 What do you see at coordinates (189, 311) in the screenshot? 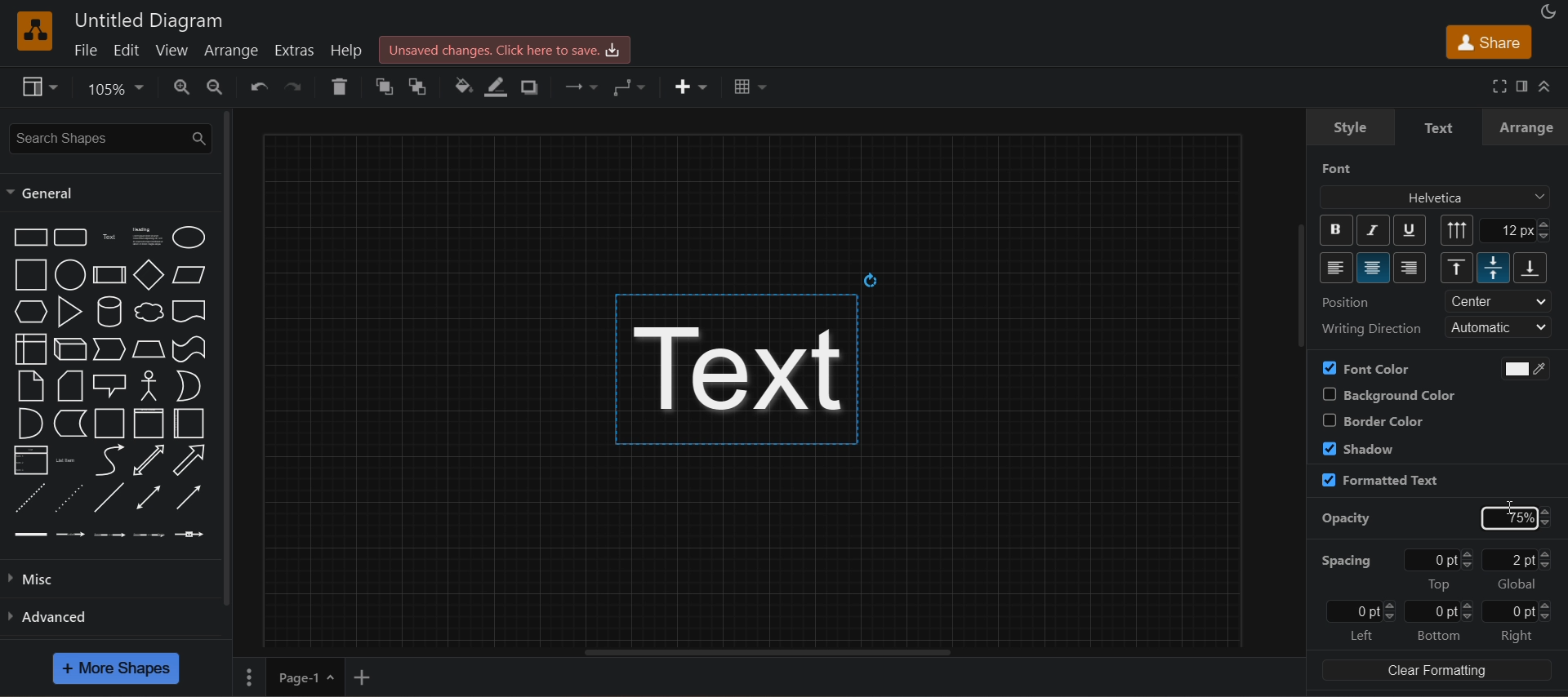
I see `document` at bounding box center [189, 311].